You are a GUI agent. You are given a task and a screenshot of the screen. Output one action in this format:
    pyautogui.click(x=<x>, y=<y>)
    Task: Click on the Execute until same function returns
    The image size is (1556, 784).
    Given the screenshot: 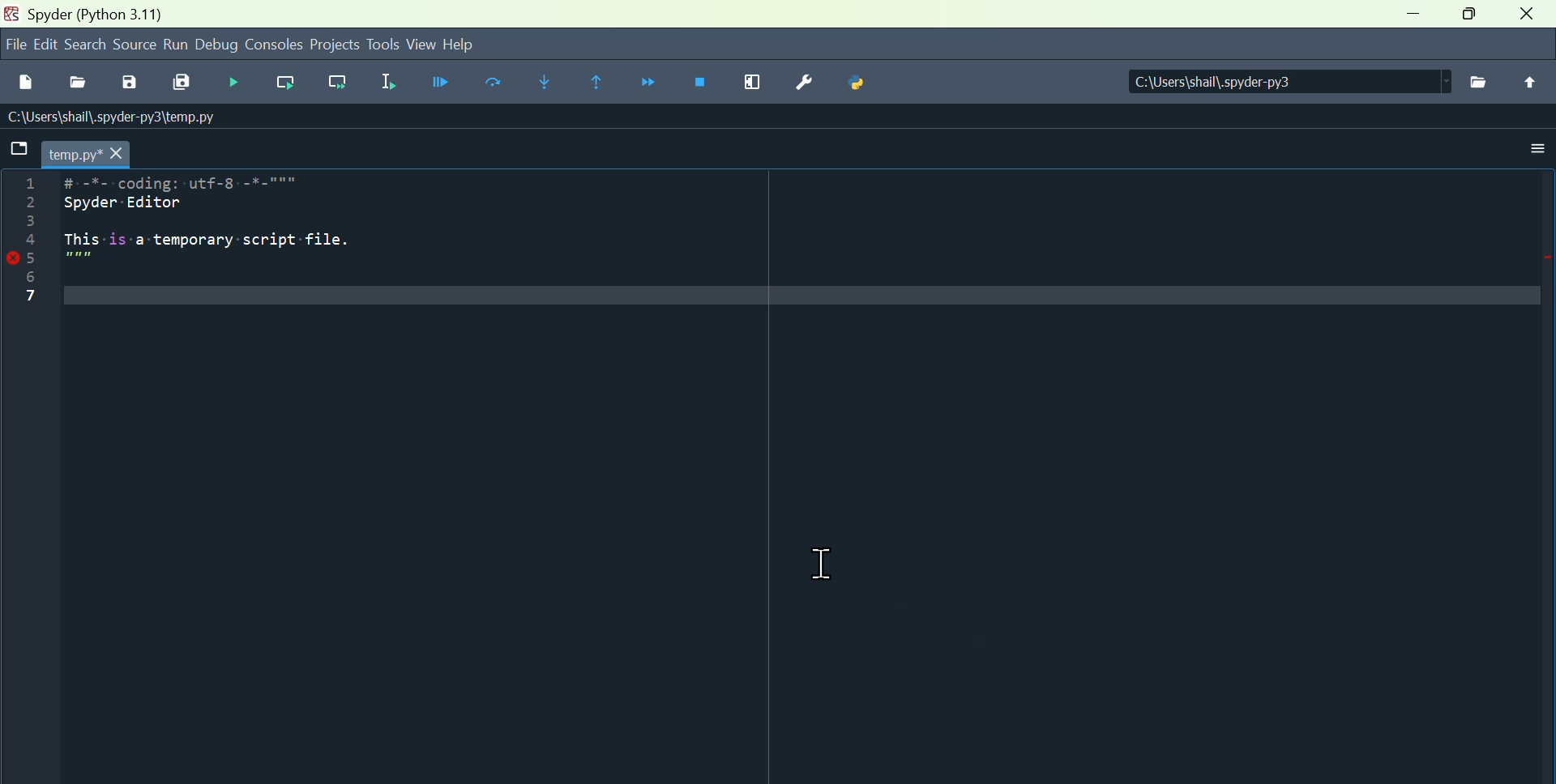 What is the action you would take?
    pyautogui.click(x=593, y=80)
    